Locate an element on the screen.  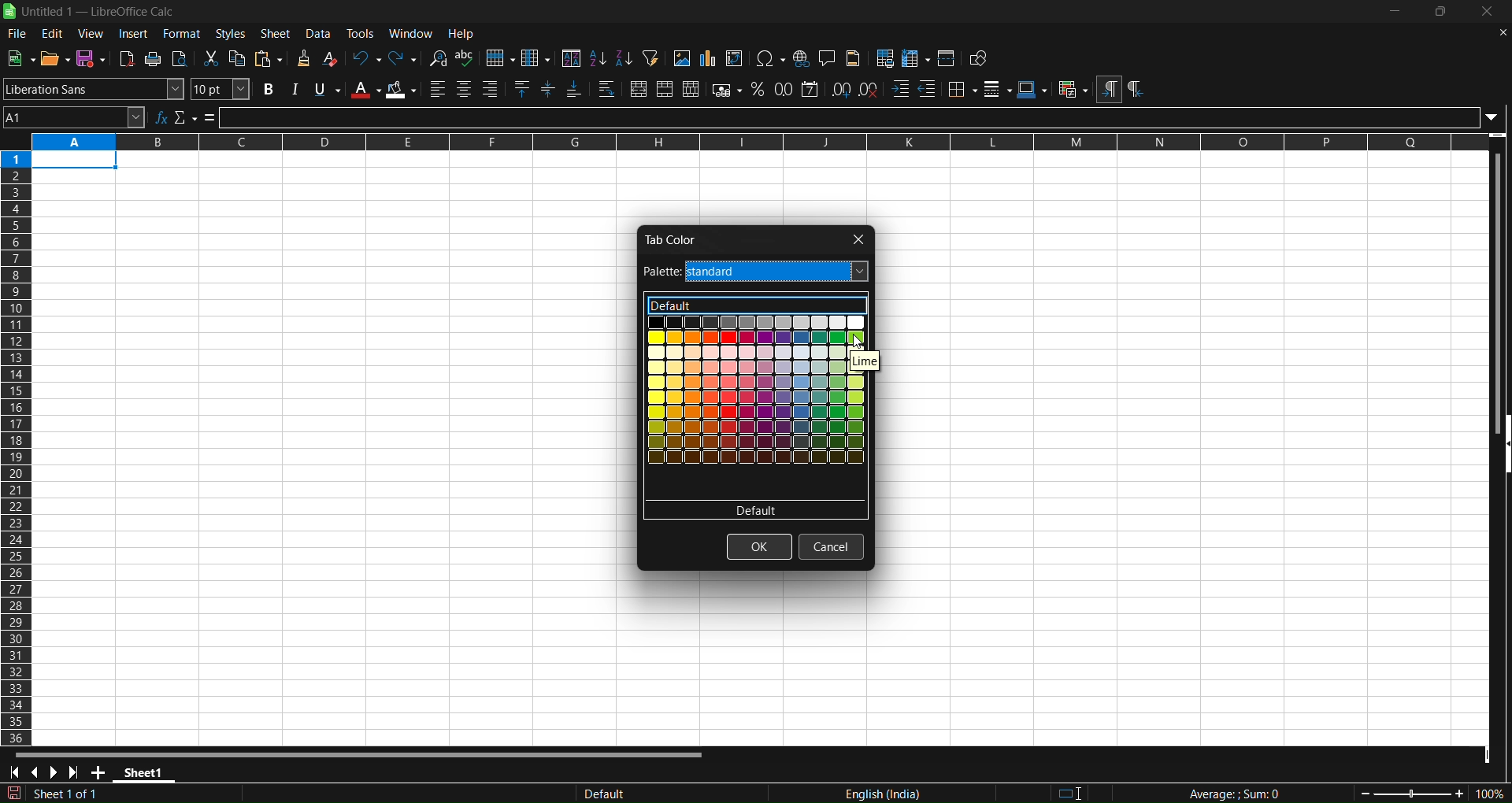
input line is located at coordinates (862, 117).